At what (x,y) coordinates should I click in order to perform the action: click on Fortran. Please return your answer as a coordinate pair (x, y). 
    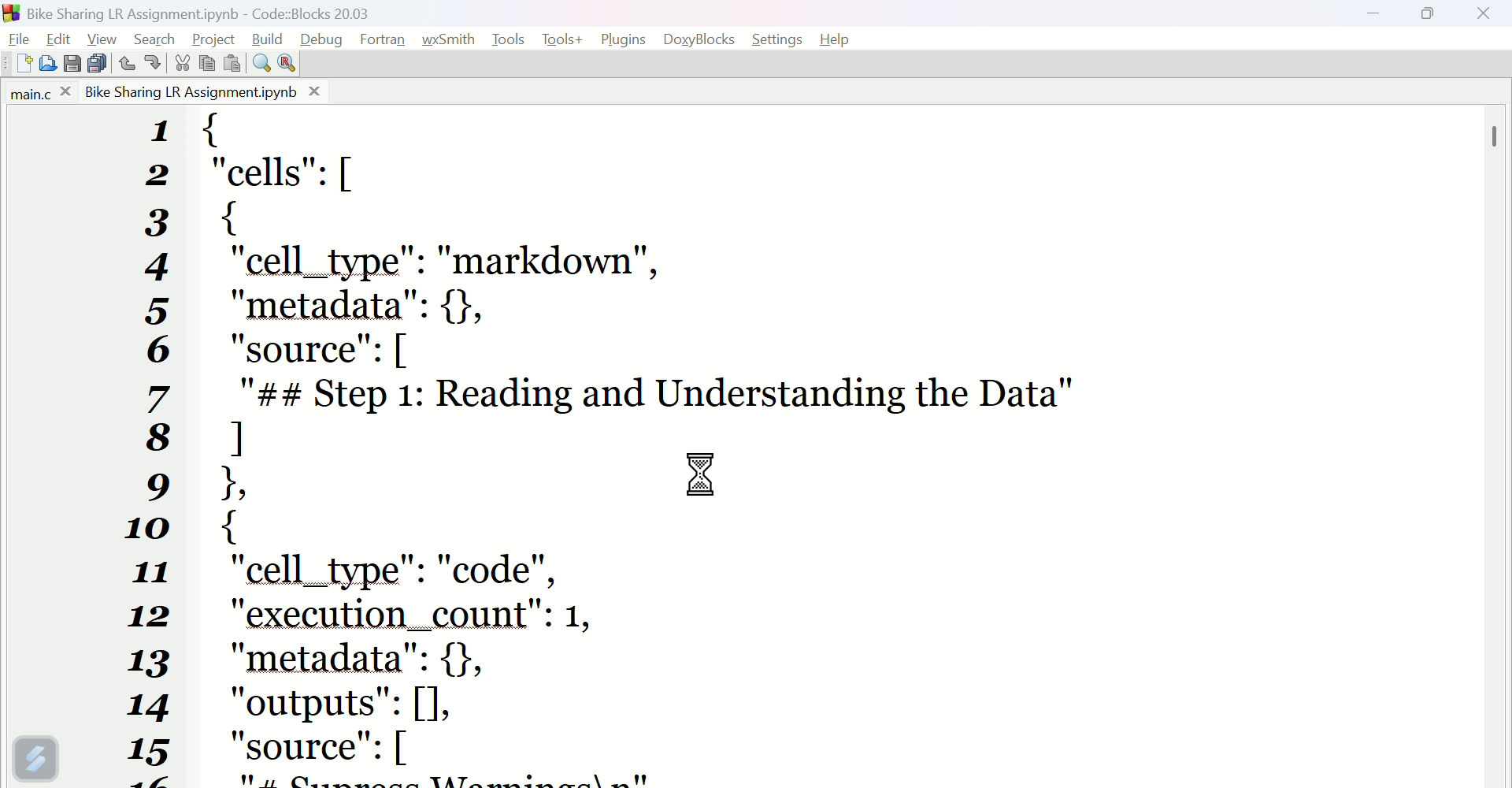
    Looking at the image, I should click on (386, 40).